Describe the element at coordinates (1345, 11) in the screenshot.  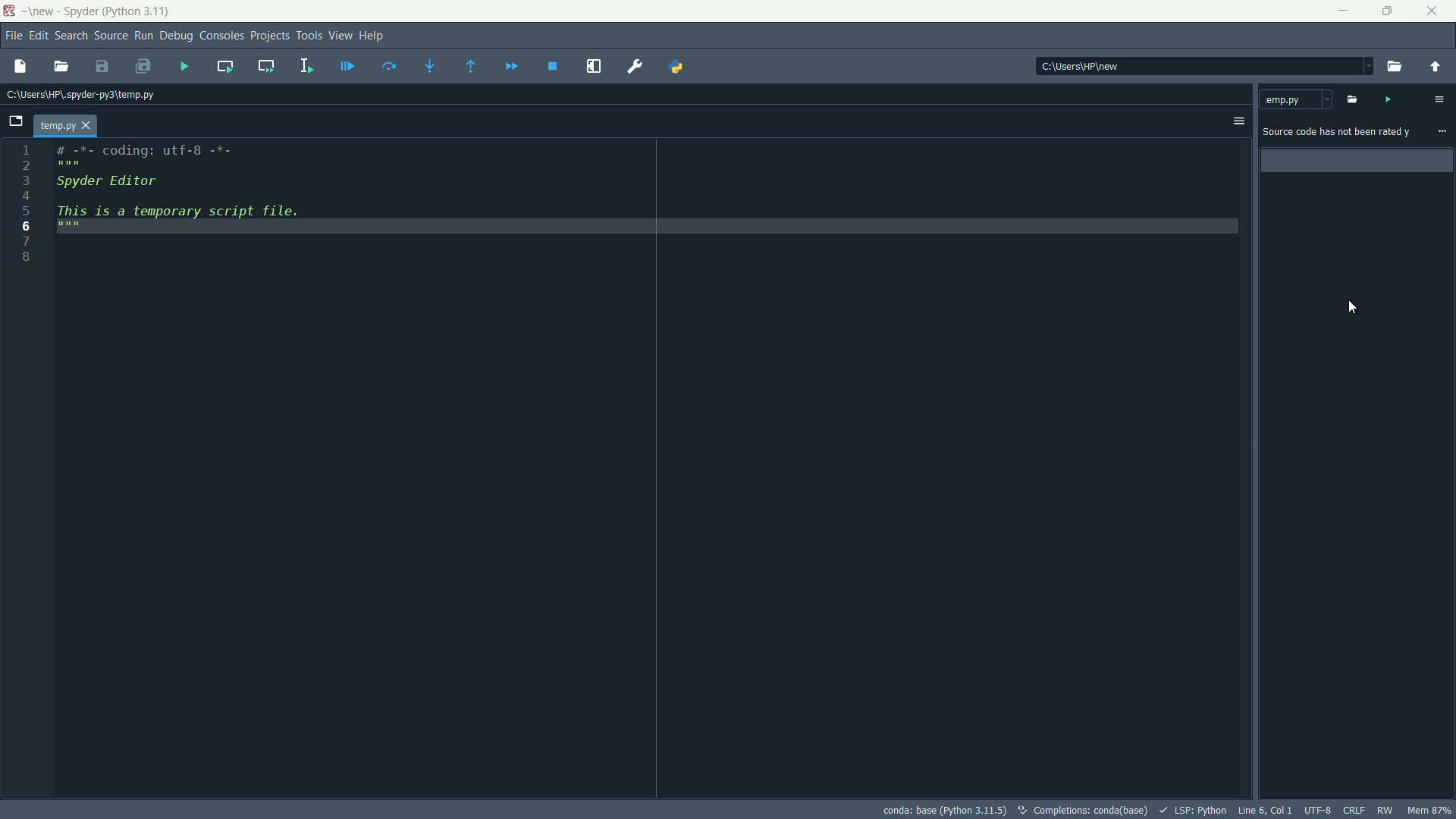
I see `minimize` at that location.